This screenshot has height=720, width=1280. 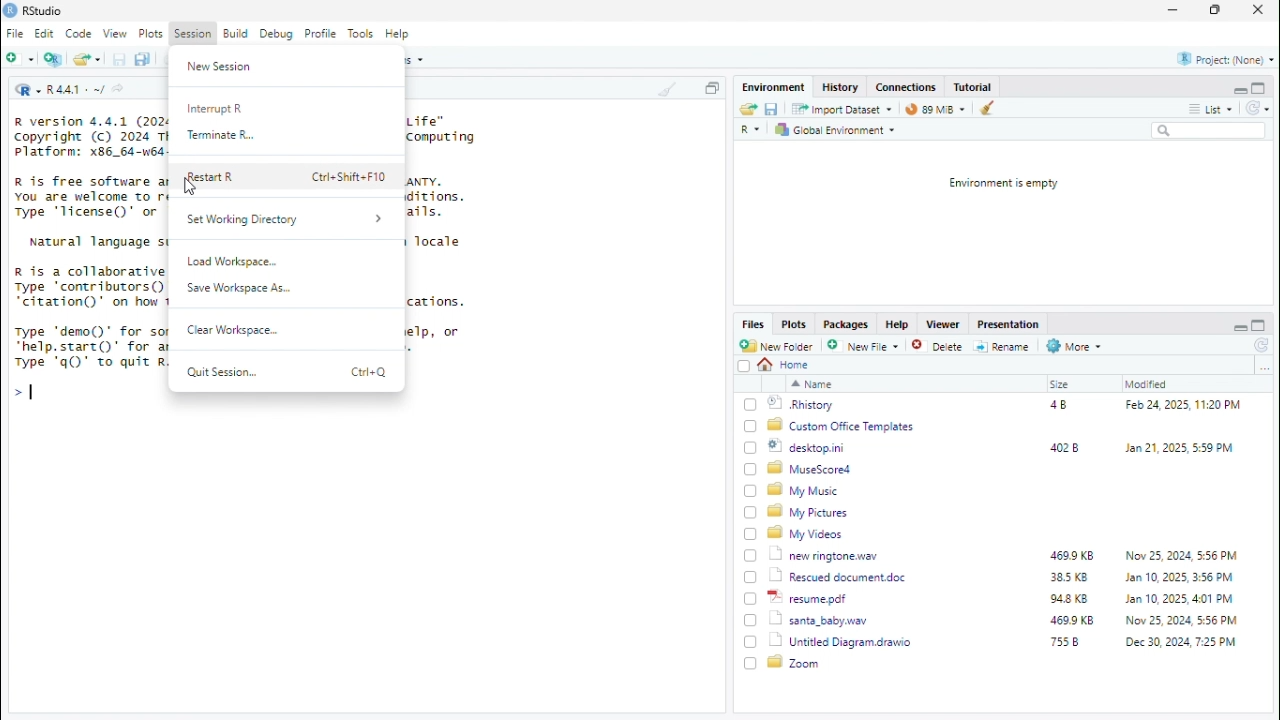 I want to click on Tutorial, so click(x=974, y=87).